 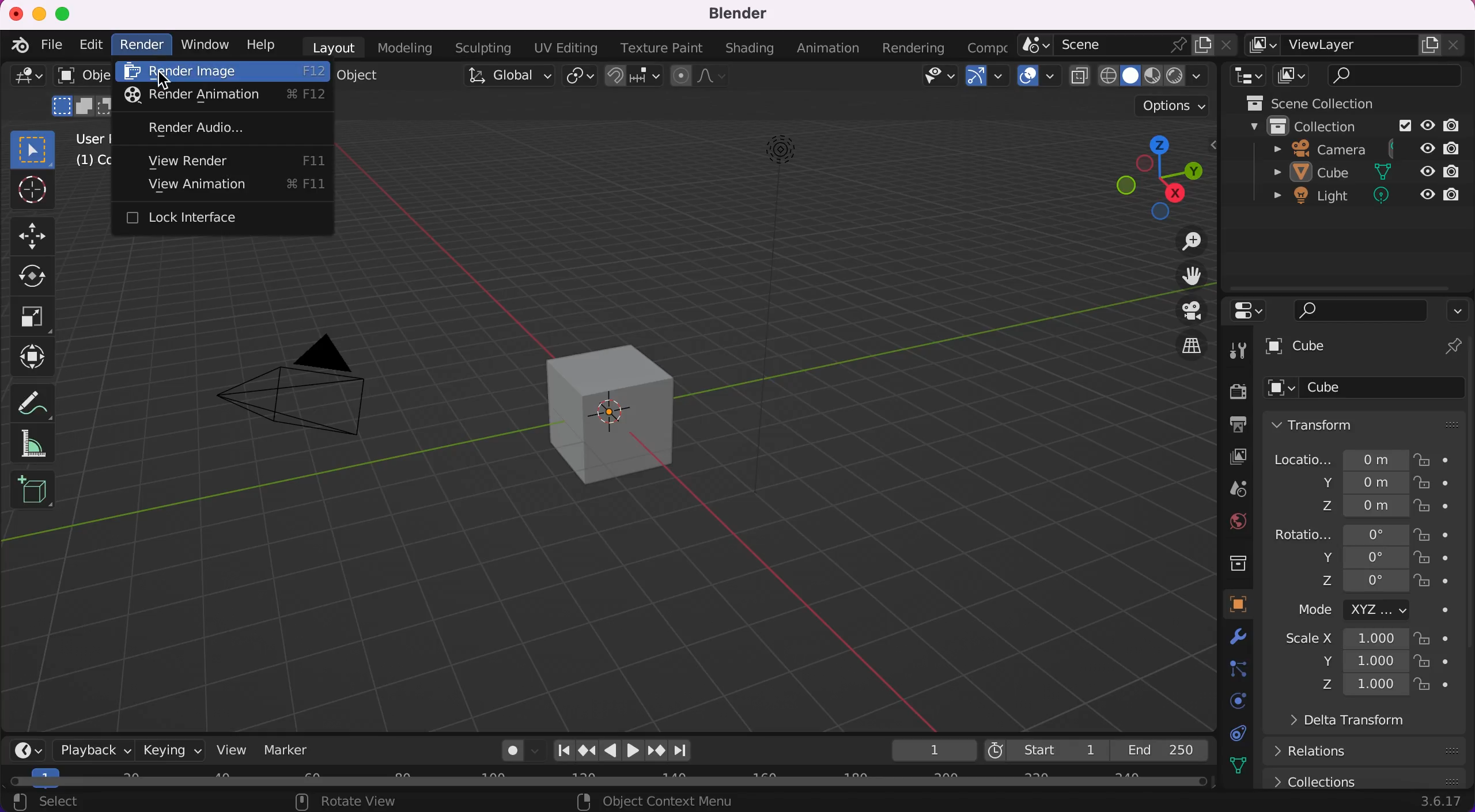 I want to click on light, so click(x=1318, y=197).